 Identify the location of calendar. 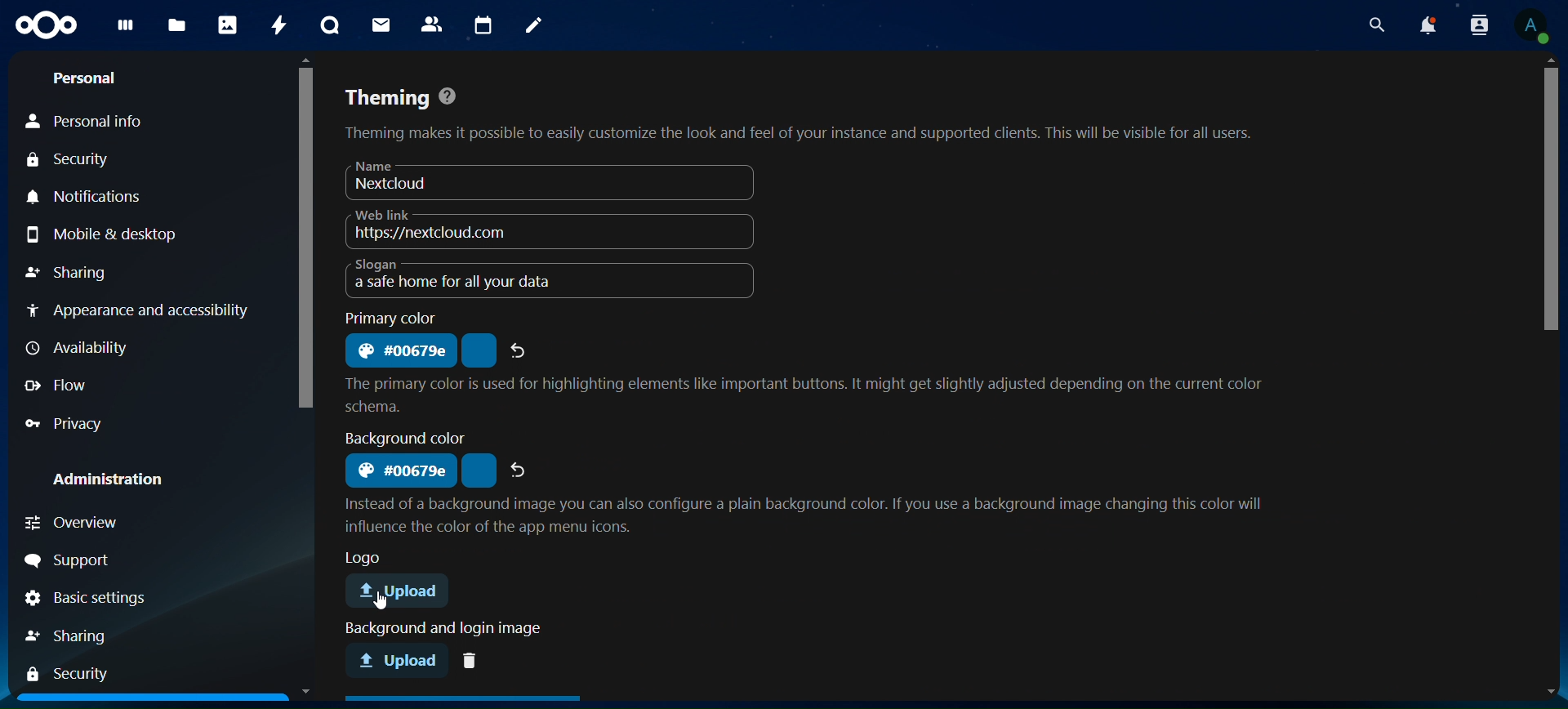
(483, 24).